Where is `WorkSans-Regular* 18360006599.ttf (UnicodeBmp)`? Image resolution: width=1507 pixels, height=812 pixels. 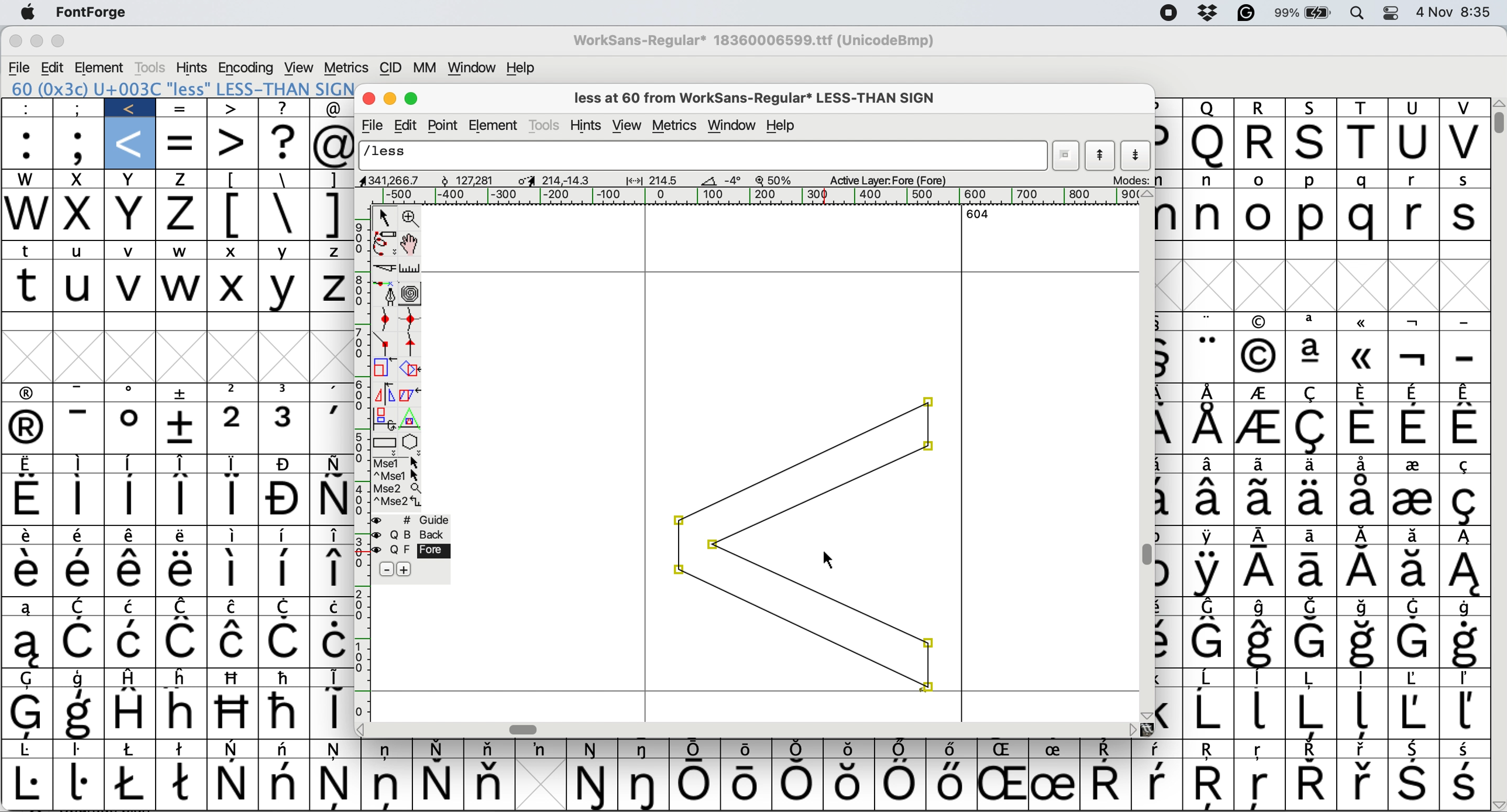
WorkSans-Regular* 18360006599.ttf (UnicodeBmp) is located at coordinates (756, 40).